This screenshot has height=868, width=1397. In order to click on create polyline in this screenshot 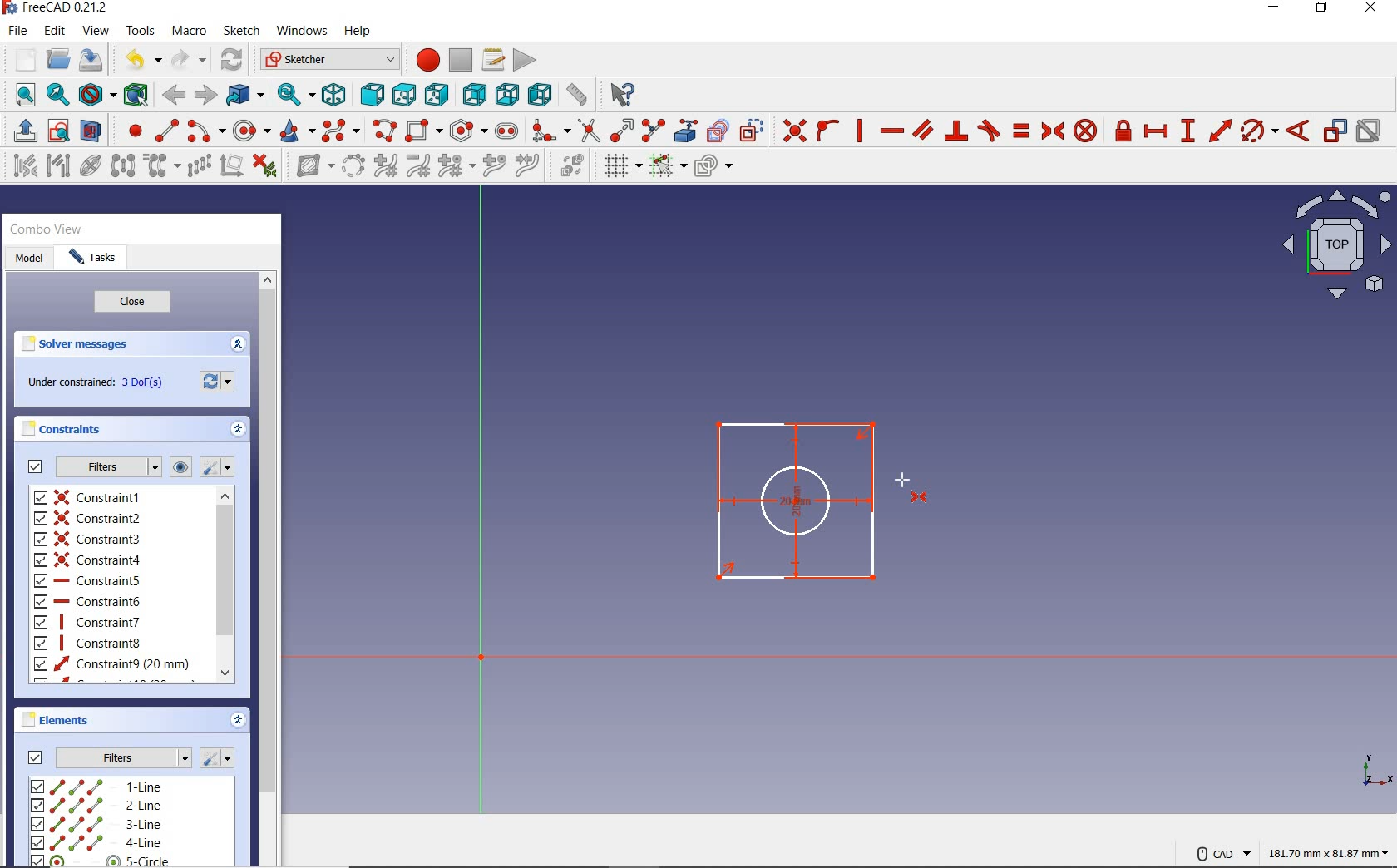, I will do `click(385, 131)`.